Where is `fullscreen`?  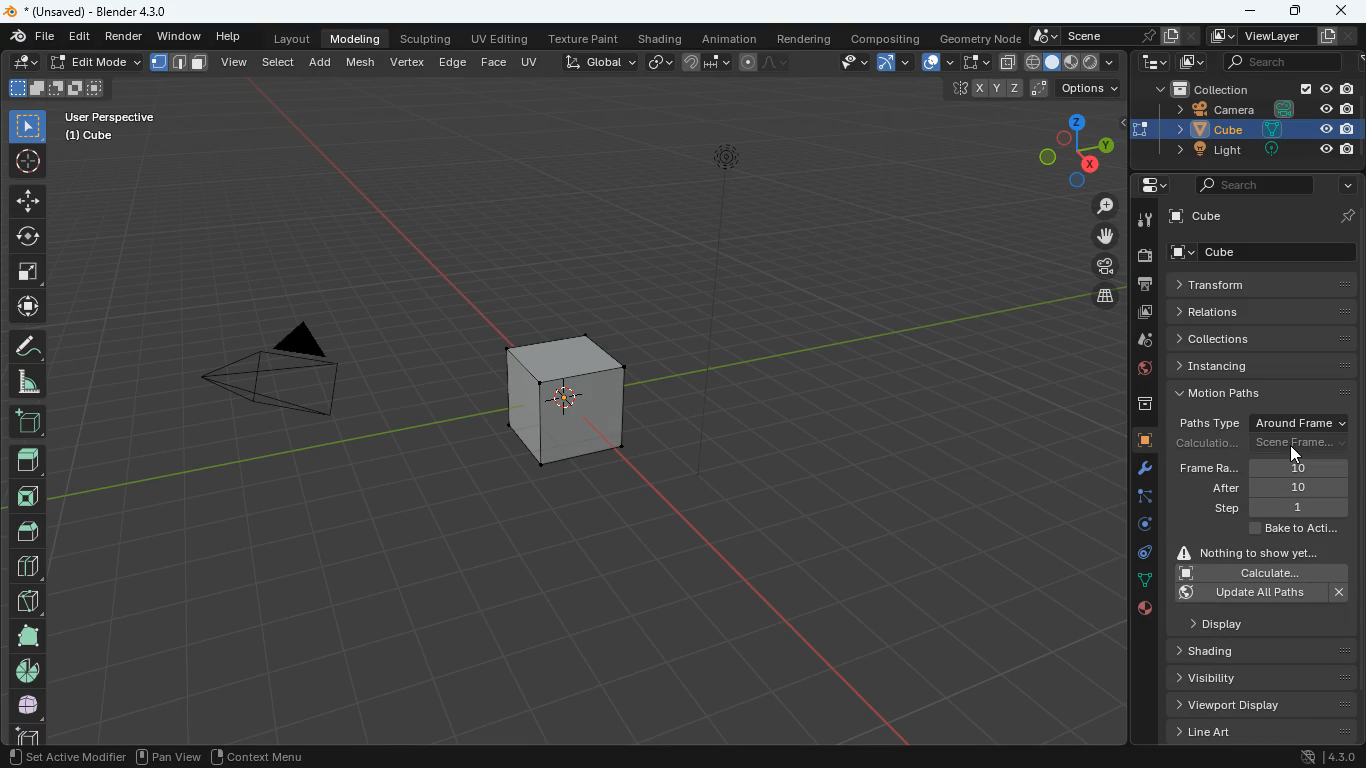 fullscreen is located at coordinates (28, 270).